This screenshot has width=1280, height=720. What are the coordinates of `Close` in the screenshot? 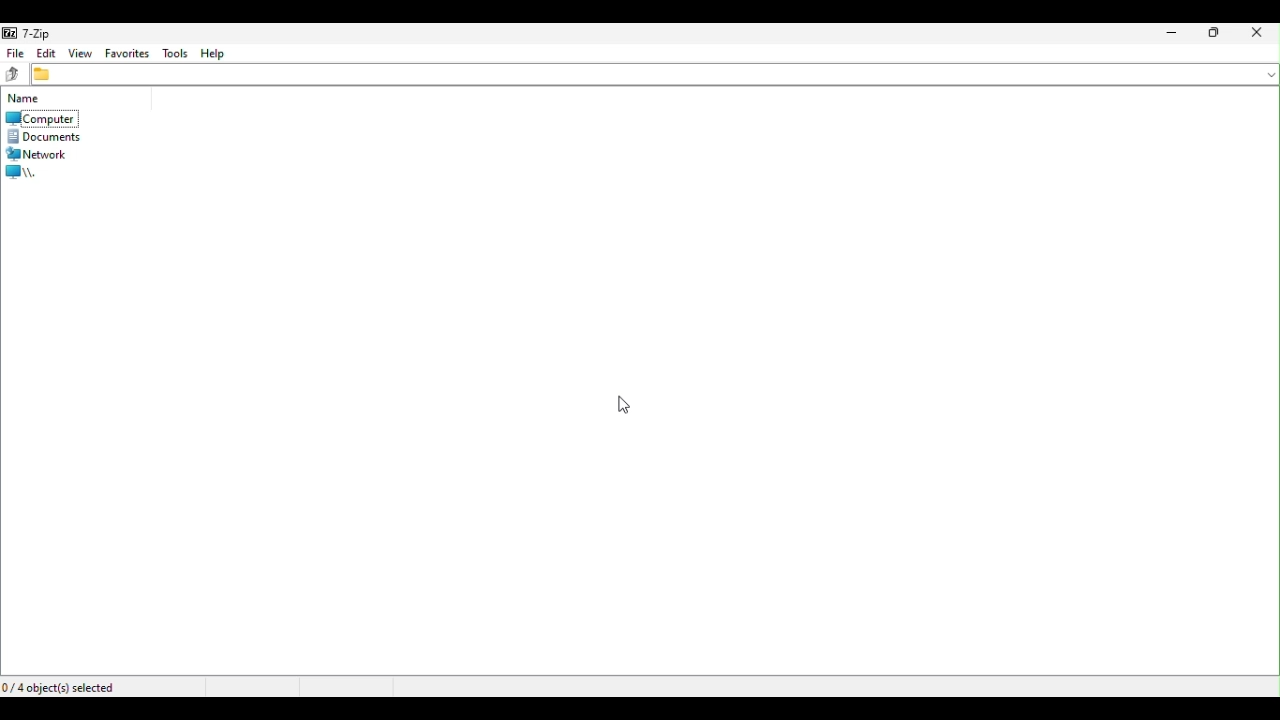 It's located at (1258, 34).